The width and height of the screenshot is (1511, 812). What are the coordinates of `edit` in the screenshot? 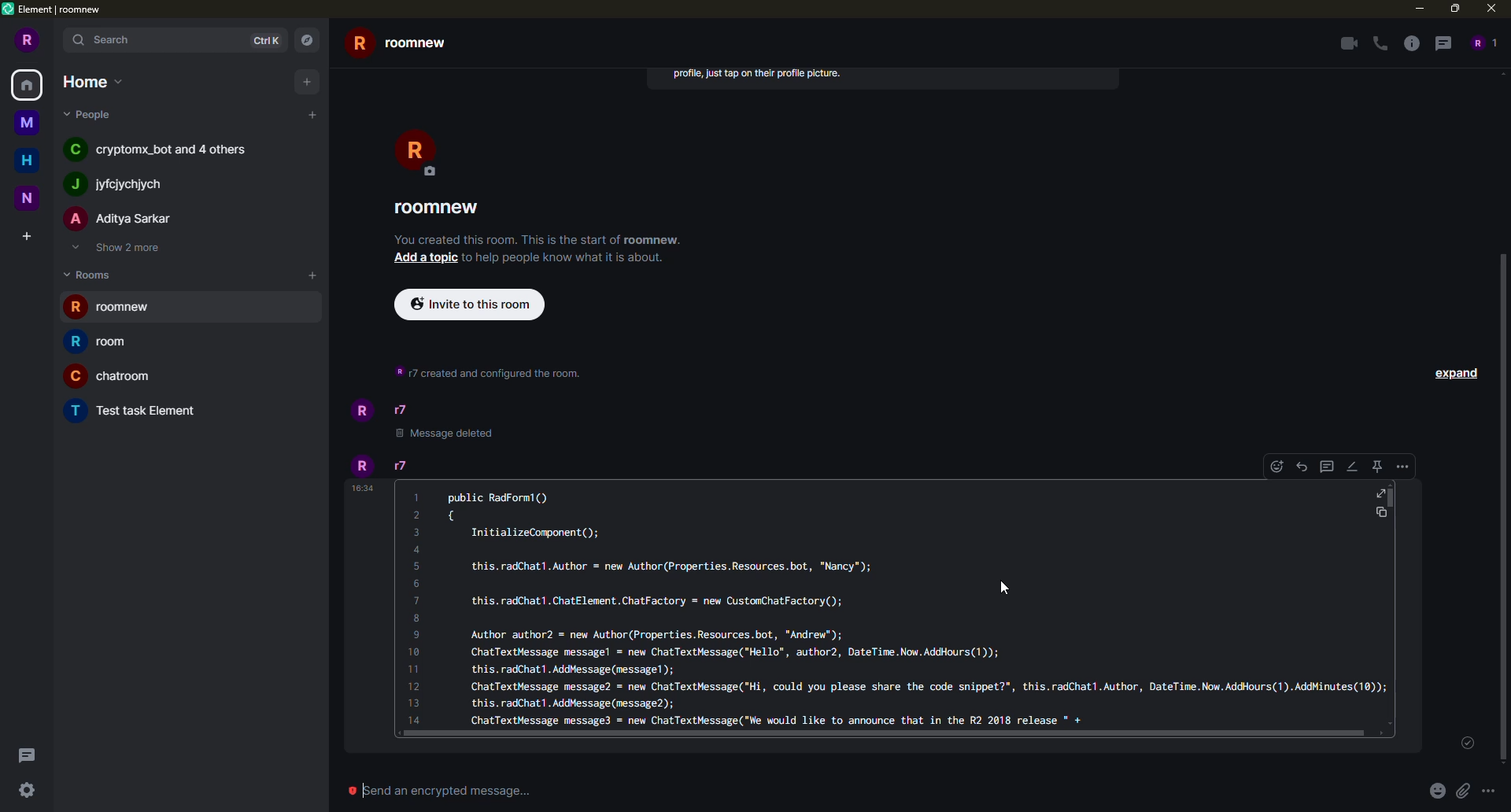 It's located at (1352, 467).